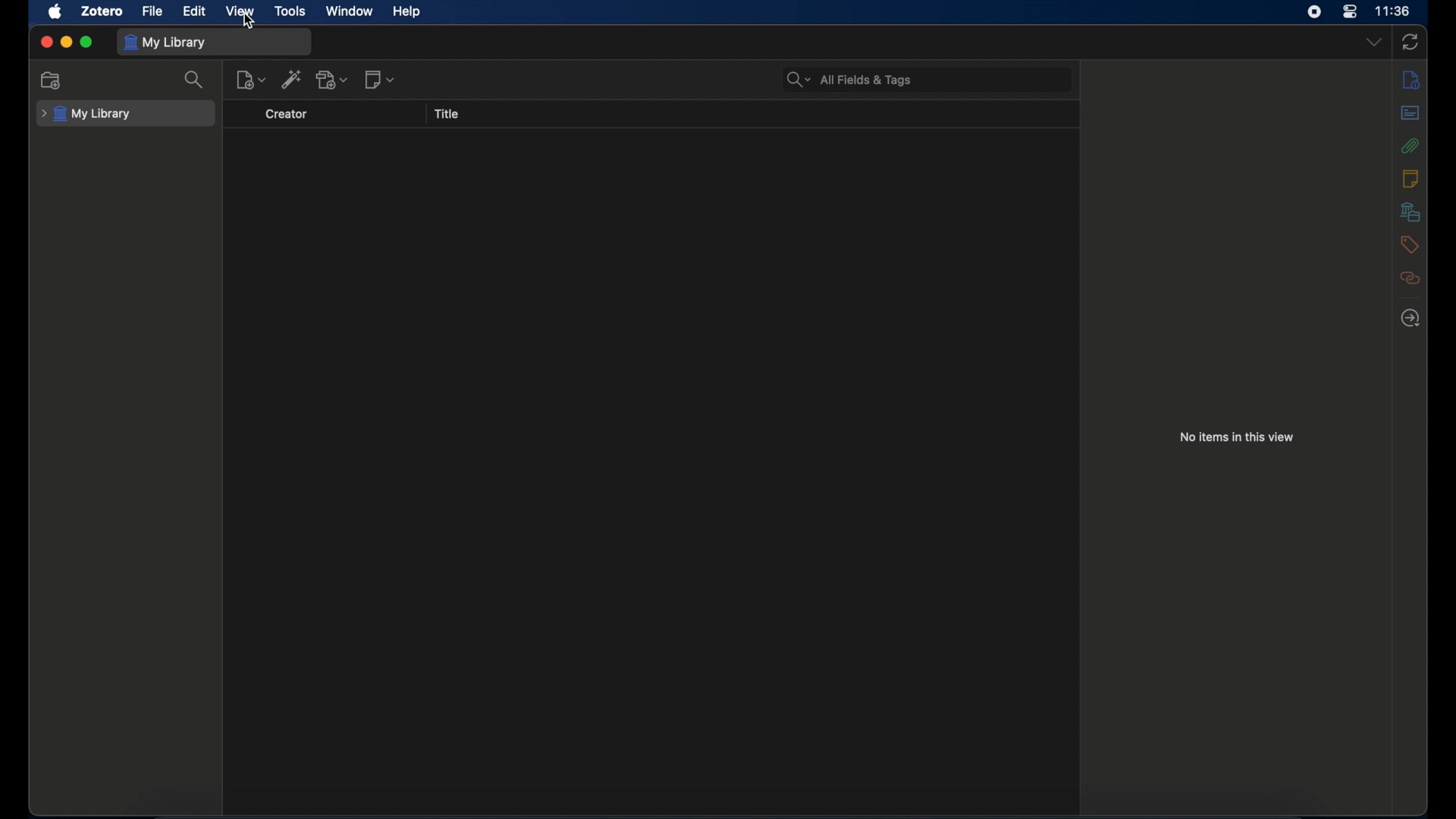  What do you see at coordinates (196, 11) in the screenshot?
I see `edit` at bounding box center [196, 11].